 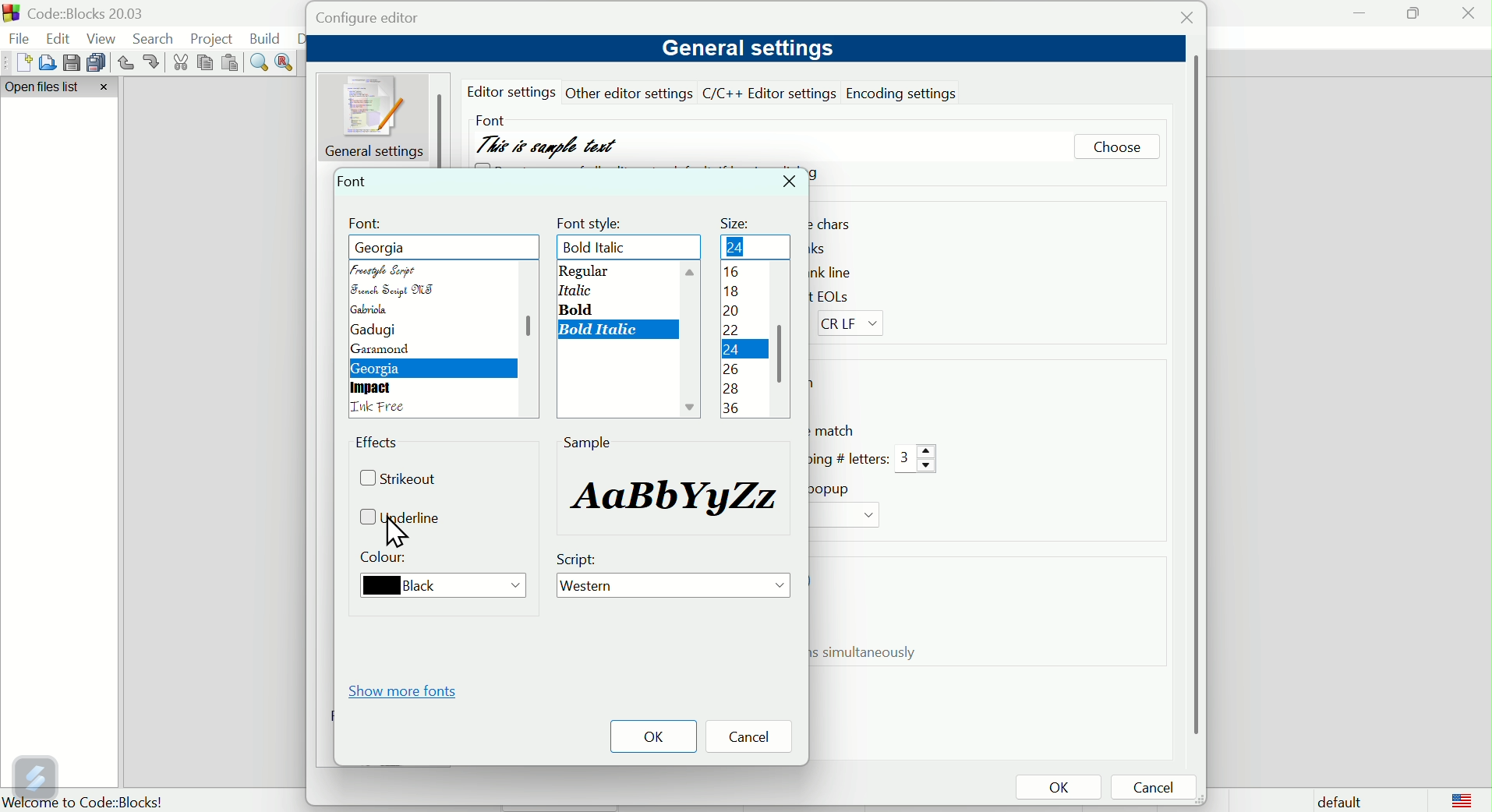 I want to click on C/C++ editor setting, so click(x=770, y=94).